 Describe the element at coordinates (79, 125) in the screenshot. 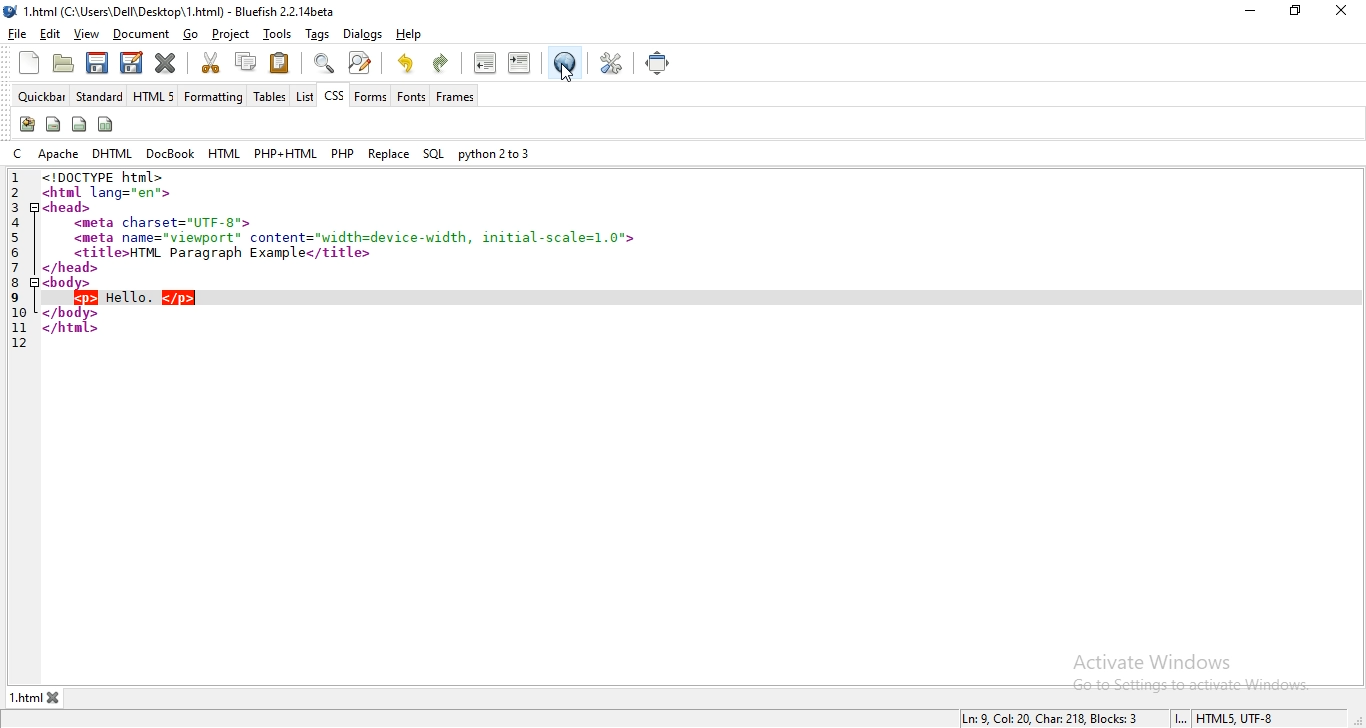

I see `div` at that location.